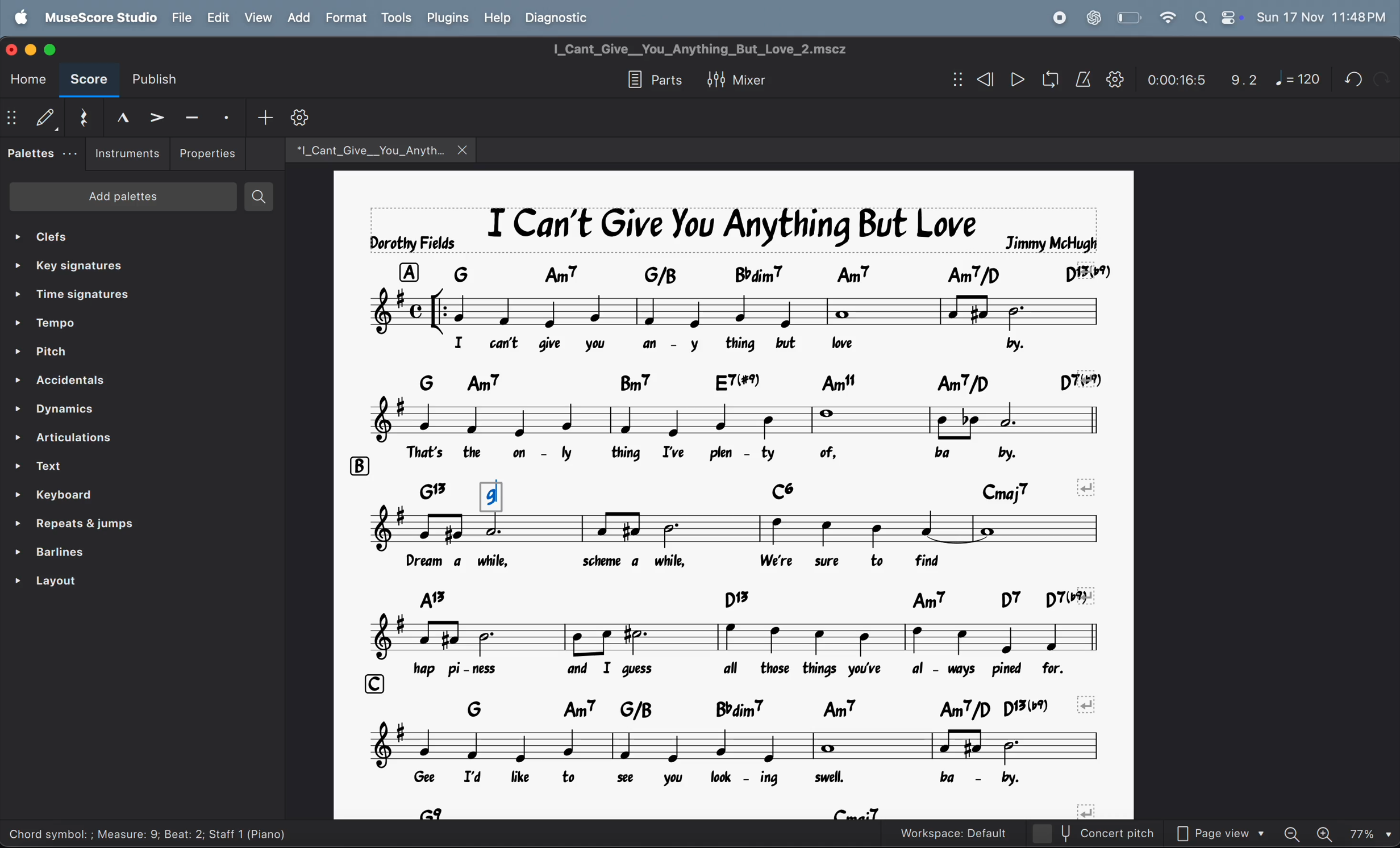  Describe the element at coordinates (1380, 79) in the screenshot. I see `redo` at that location.